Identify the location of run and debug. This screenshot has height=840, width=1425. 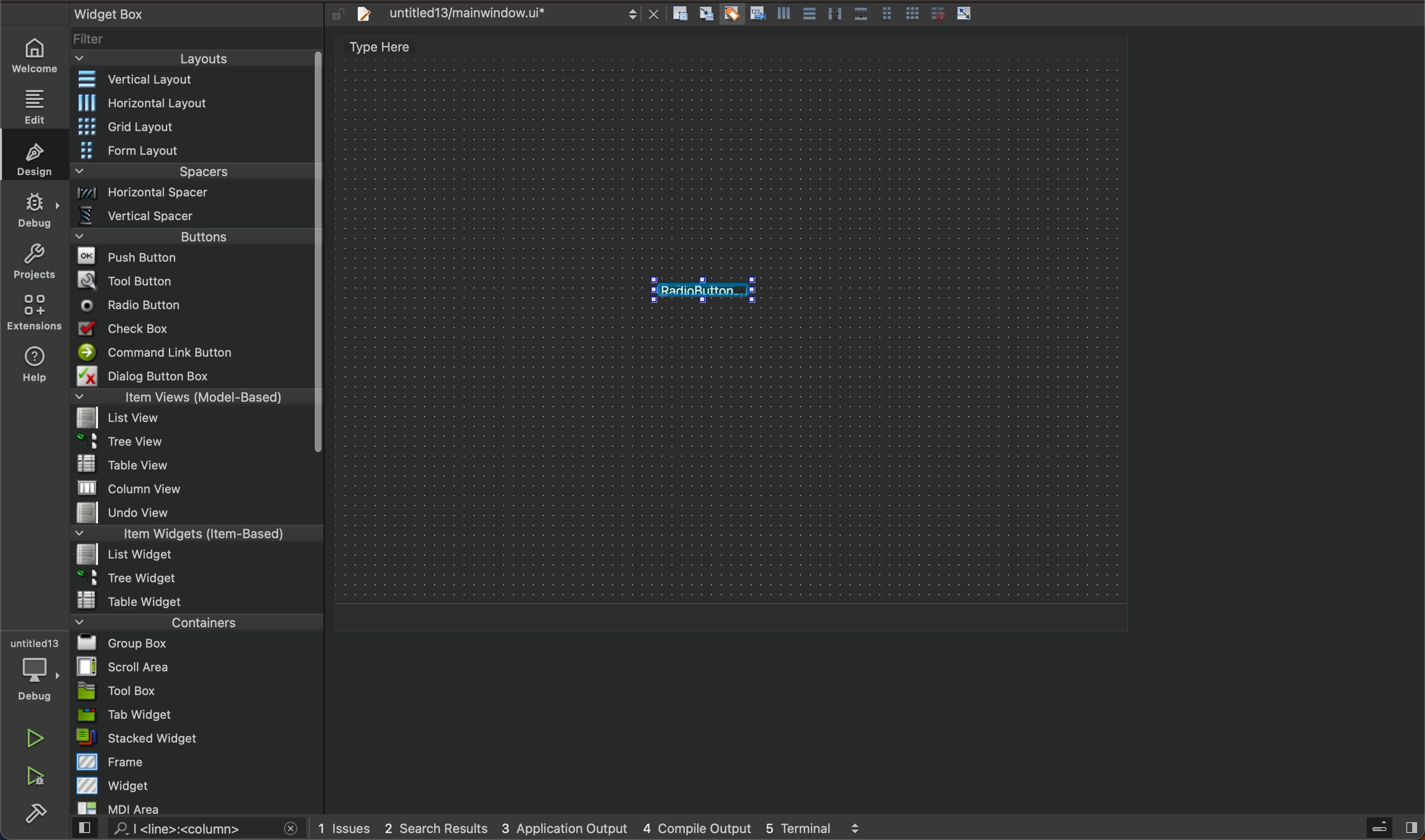
(37, 778).